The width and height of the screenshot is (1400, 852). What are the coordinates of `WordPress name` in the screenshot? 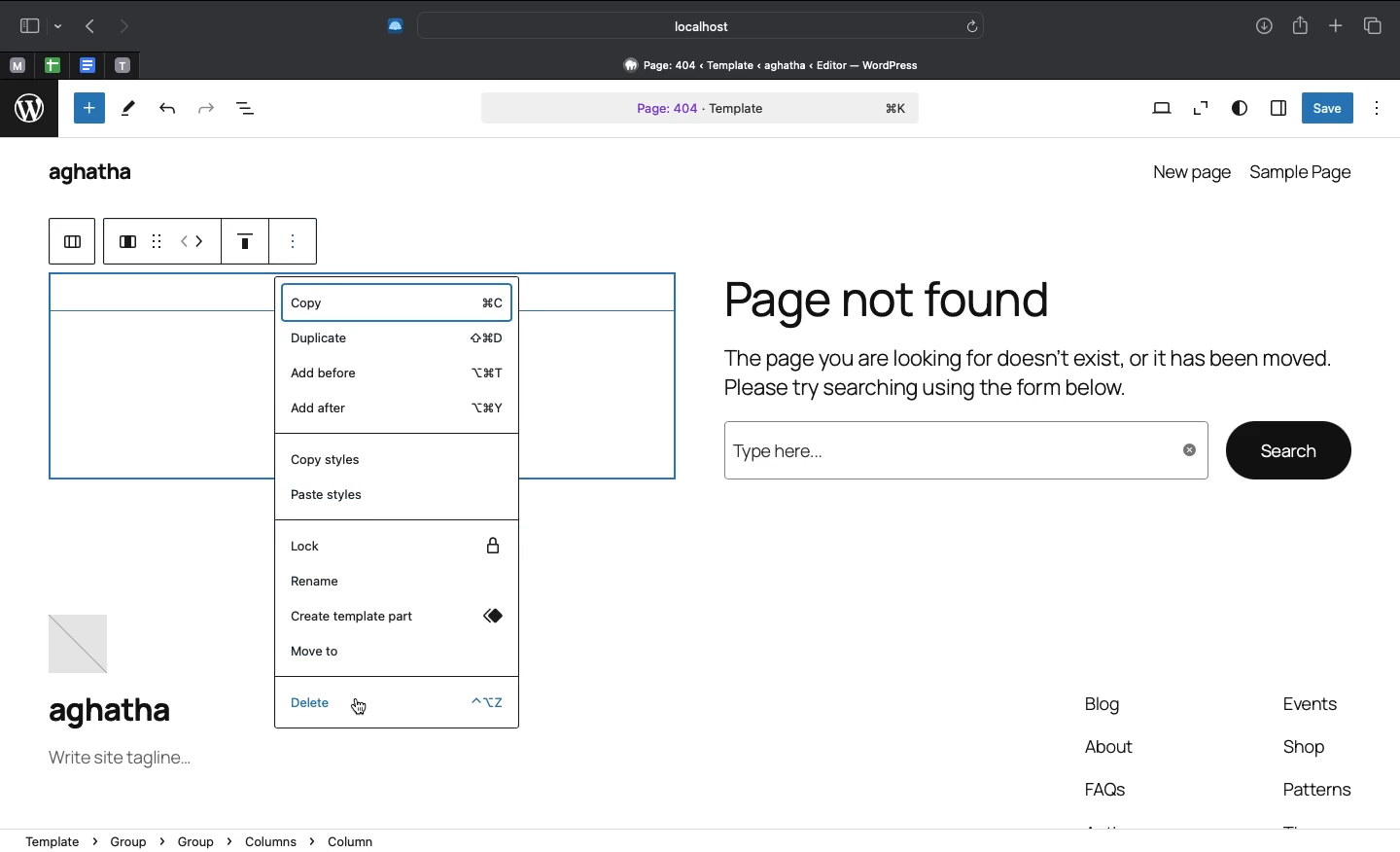 It's located at (100, 175).